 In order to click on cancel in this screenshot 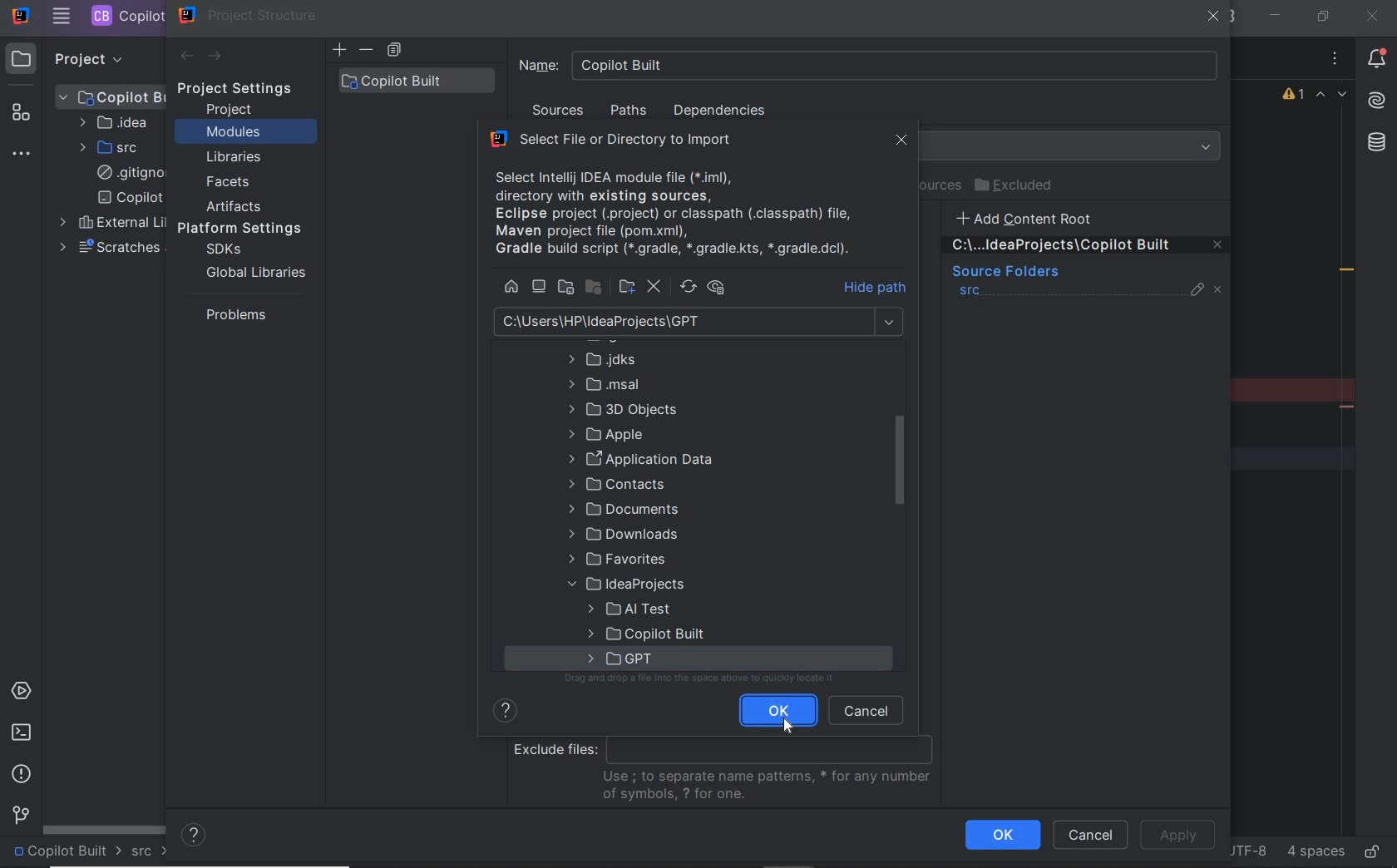, I will do `click(867, 709)`.